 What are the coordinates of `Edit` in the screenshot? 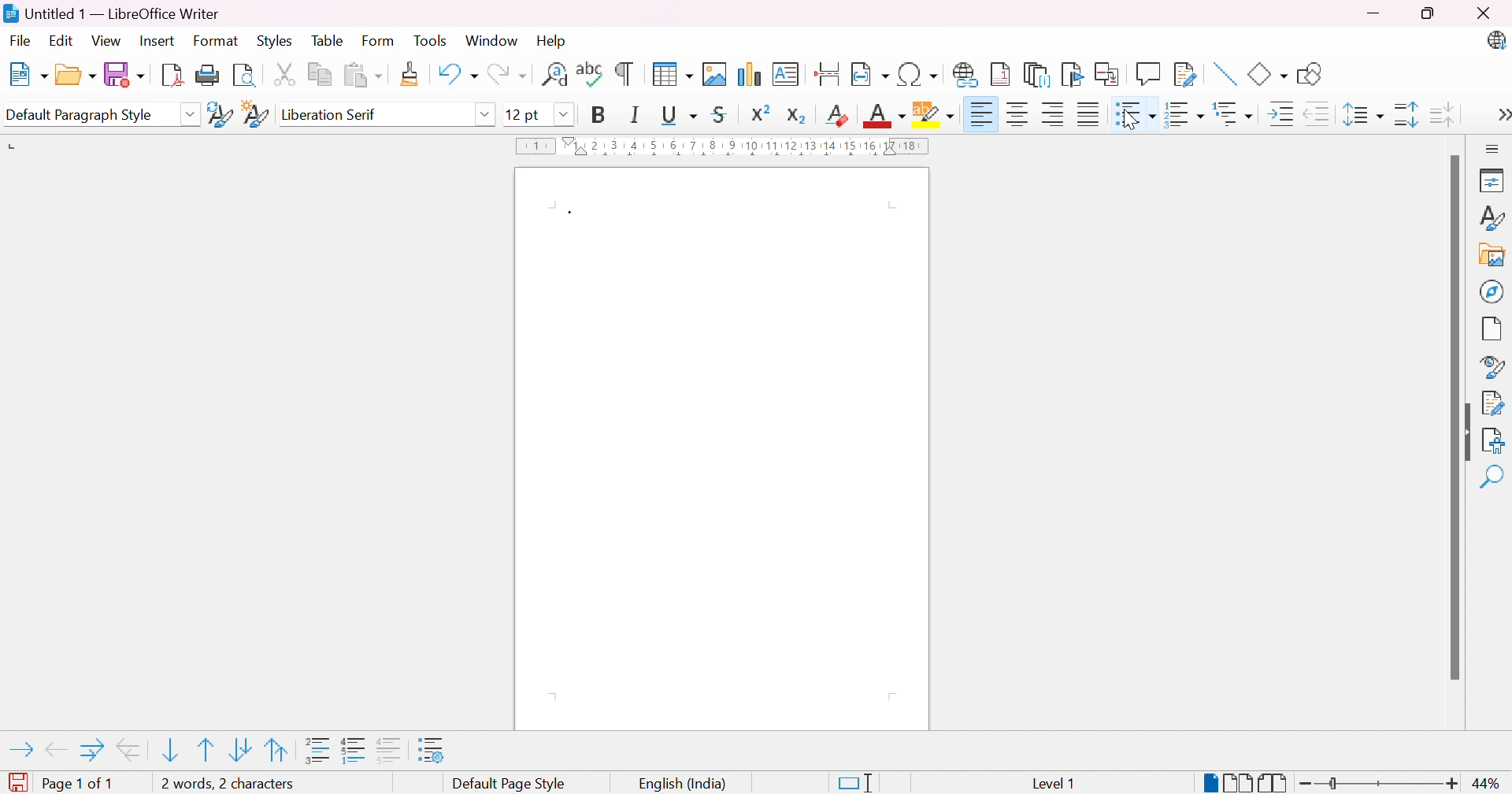 It's located at (64, 43).